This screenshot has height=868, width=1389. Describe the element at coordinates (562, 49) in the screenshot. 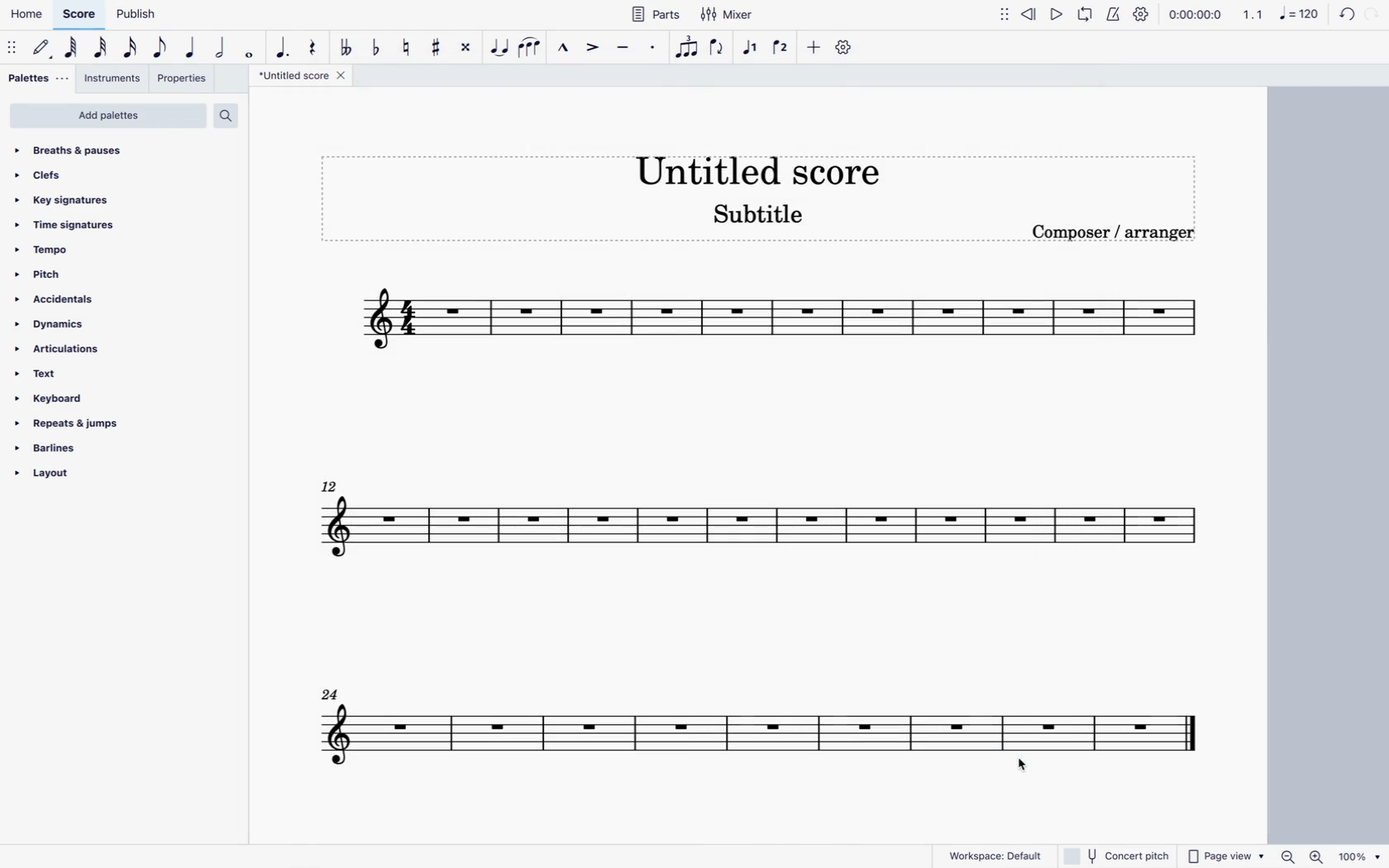

I see `marcatto` at that location.